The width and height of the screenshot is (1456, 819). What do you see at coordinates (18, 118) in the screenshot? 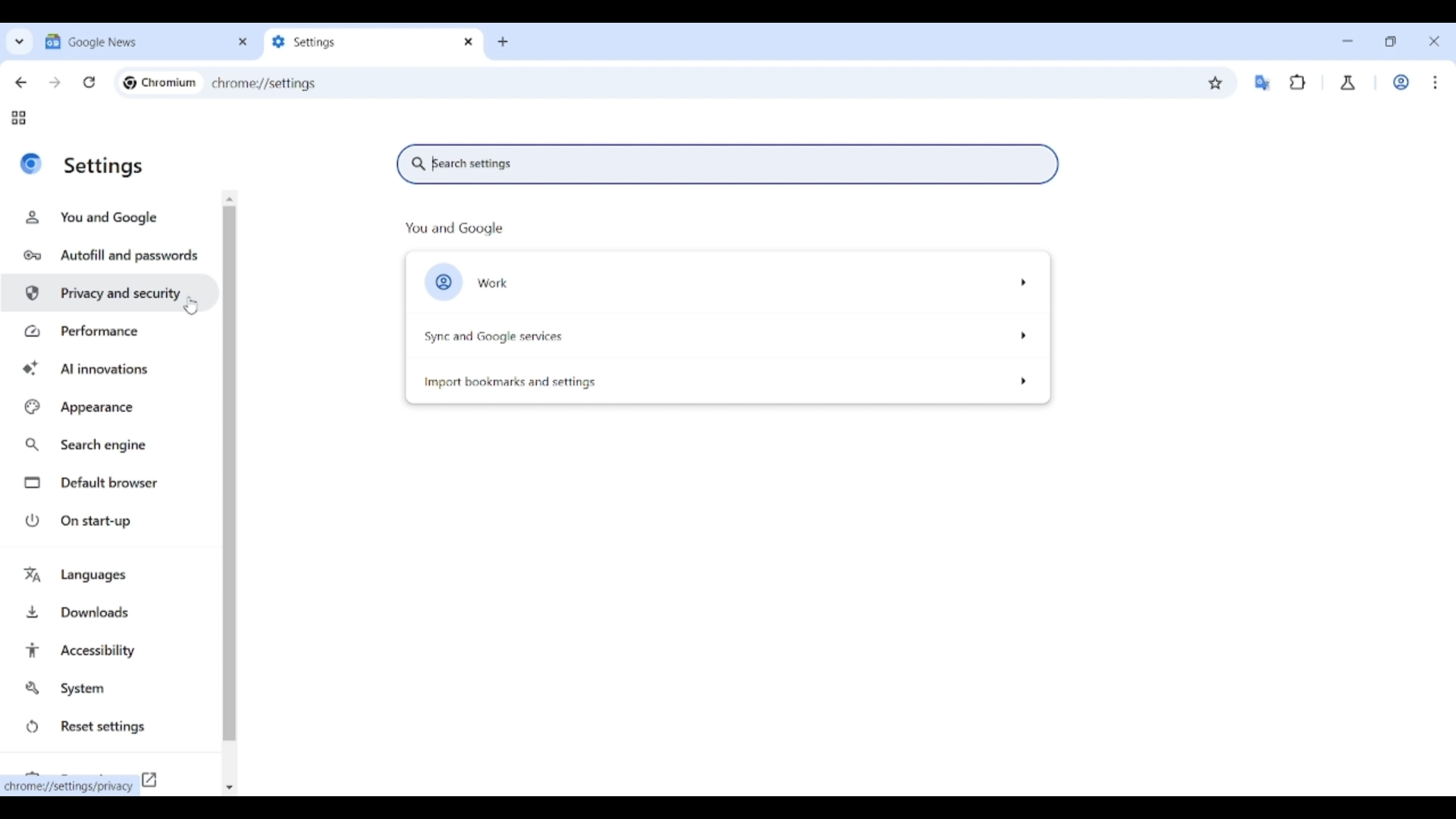
I see `Tab groups` at bounding box center [18, 118].